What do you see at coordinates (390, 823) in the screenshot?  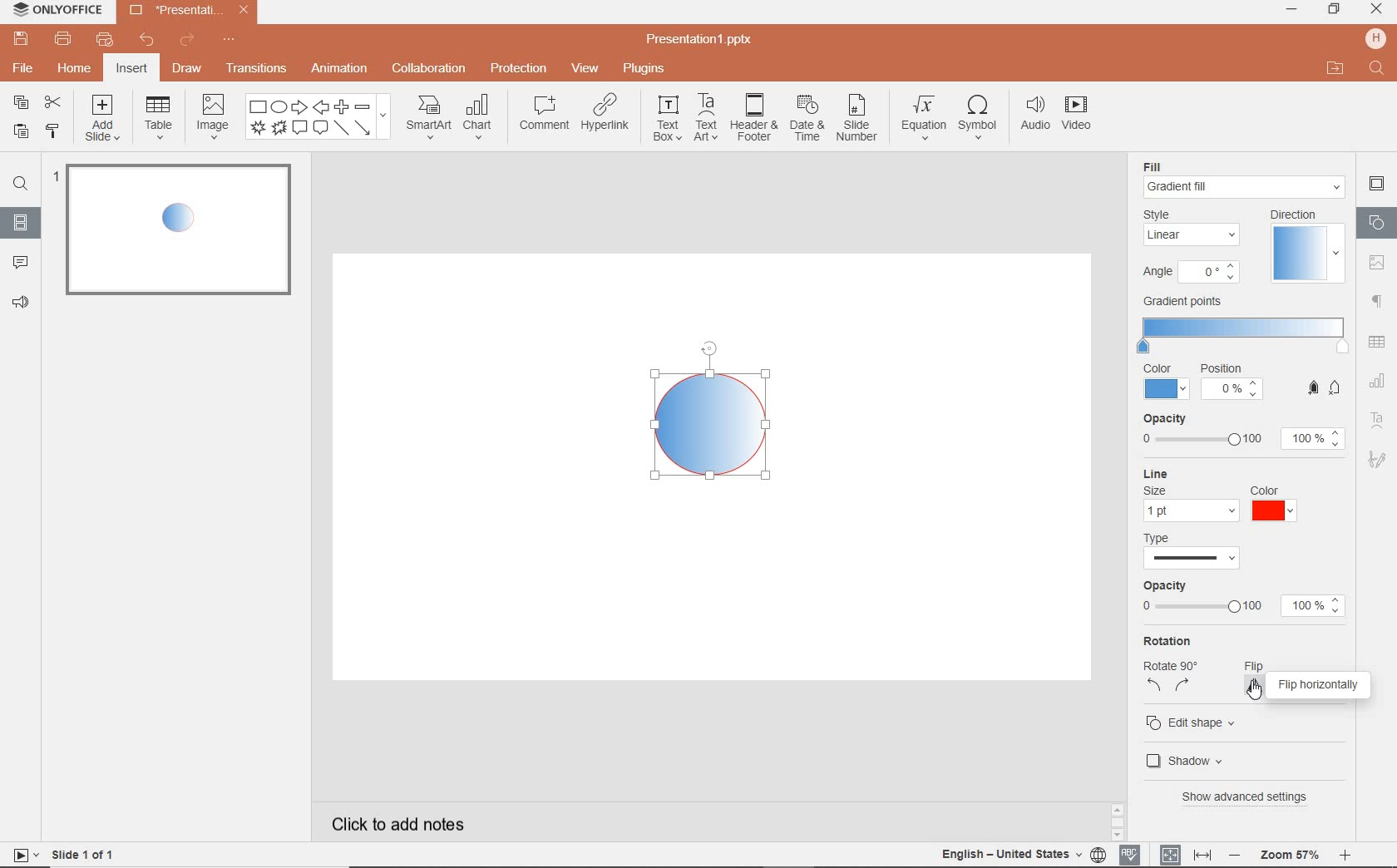 I see `click to add notes` at bounding box center [390, 823].